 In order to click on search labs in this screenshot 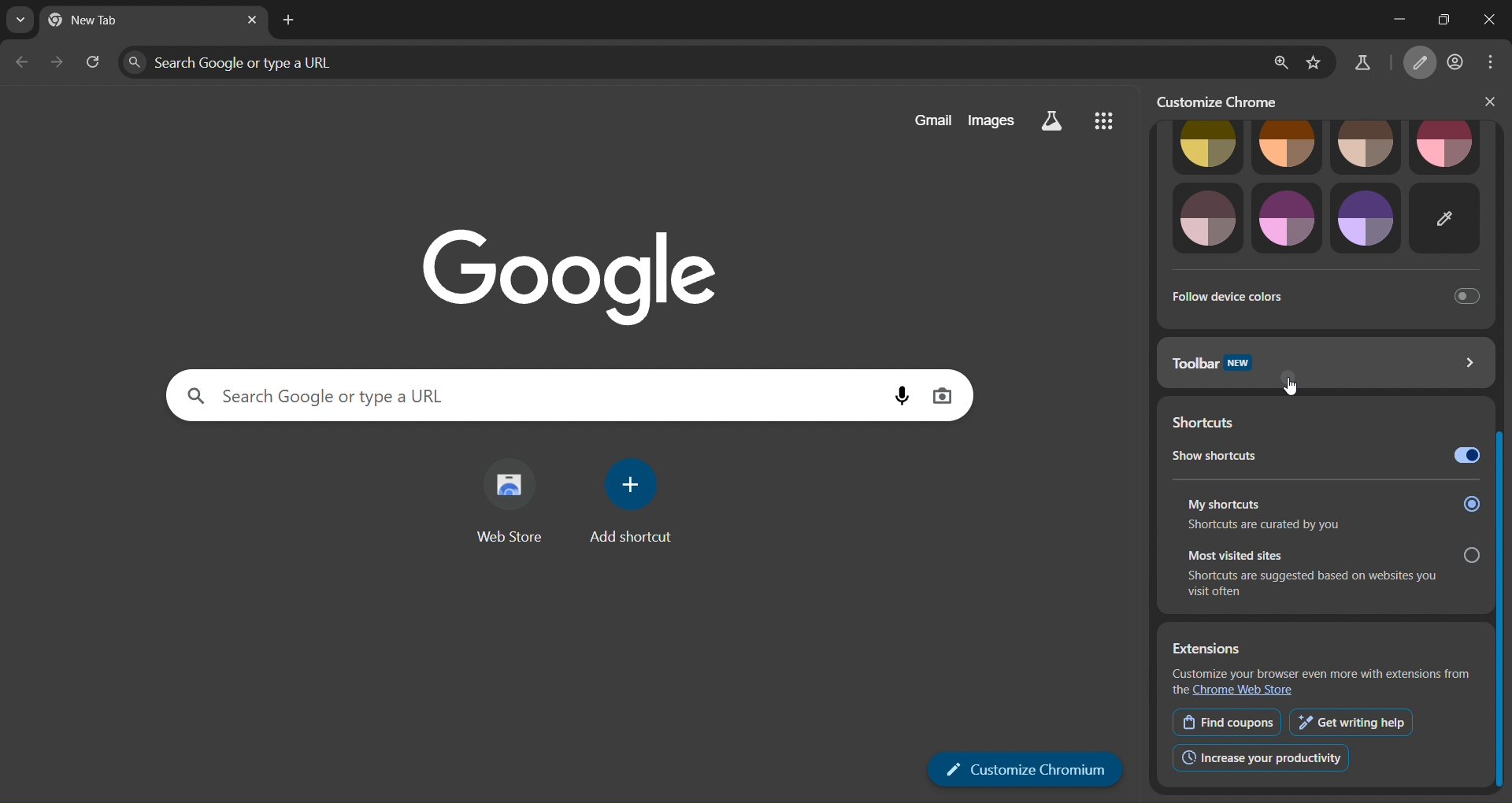, I will do `click(1362, 66)`.